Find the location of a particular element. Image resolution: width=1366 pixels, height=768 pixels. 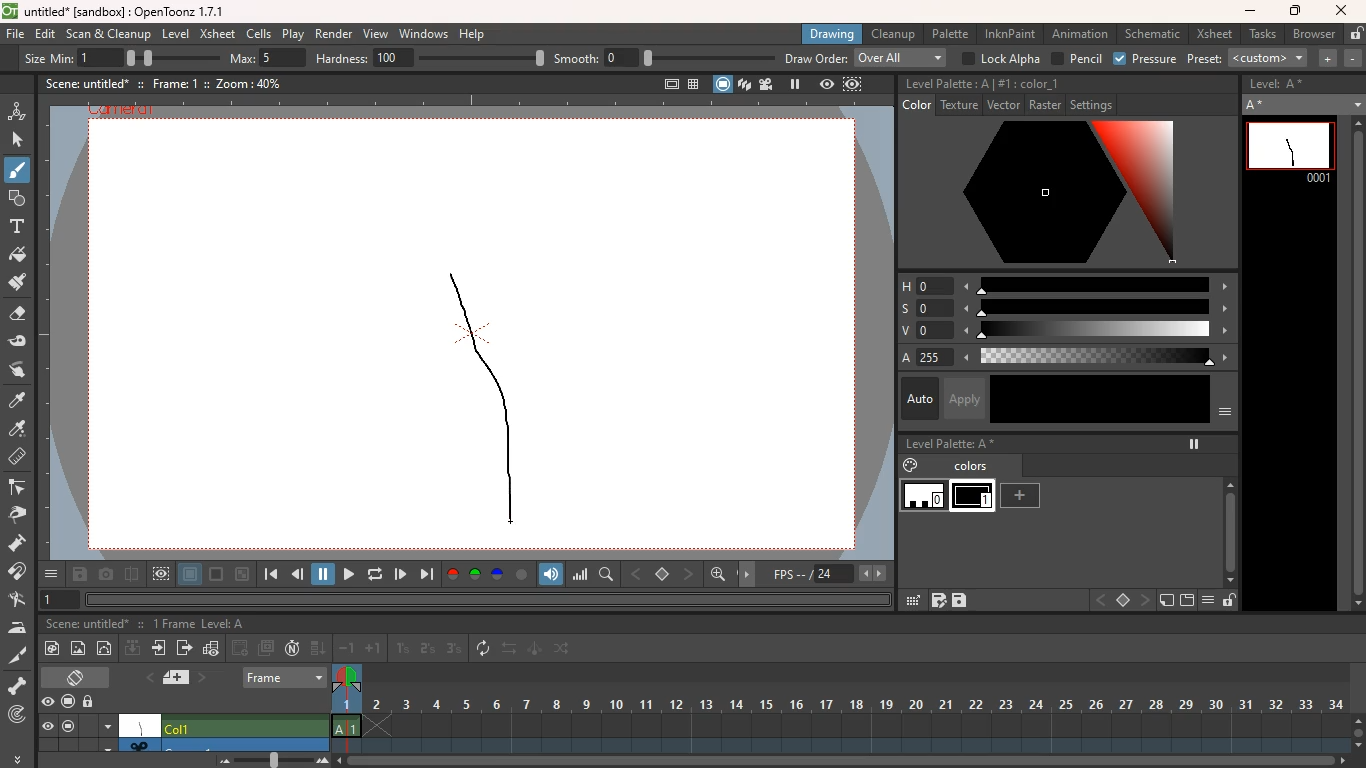

add is located at coordinates (1024, 495).